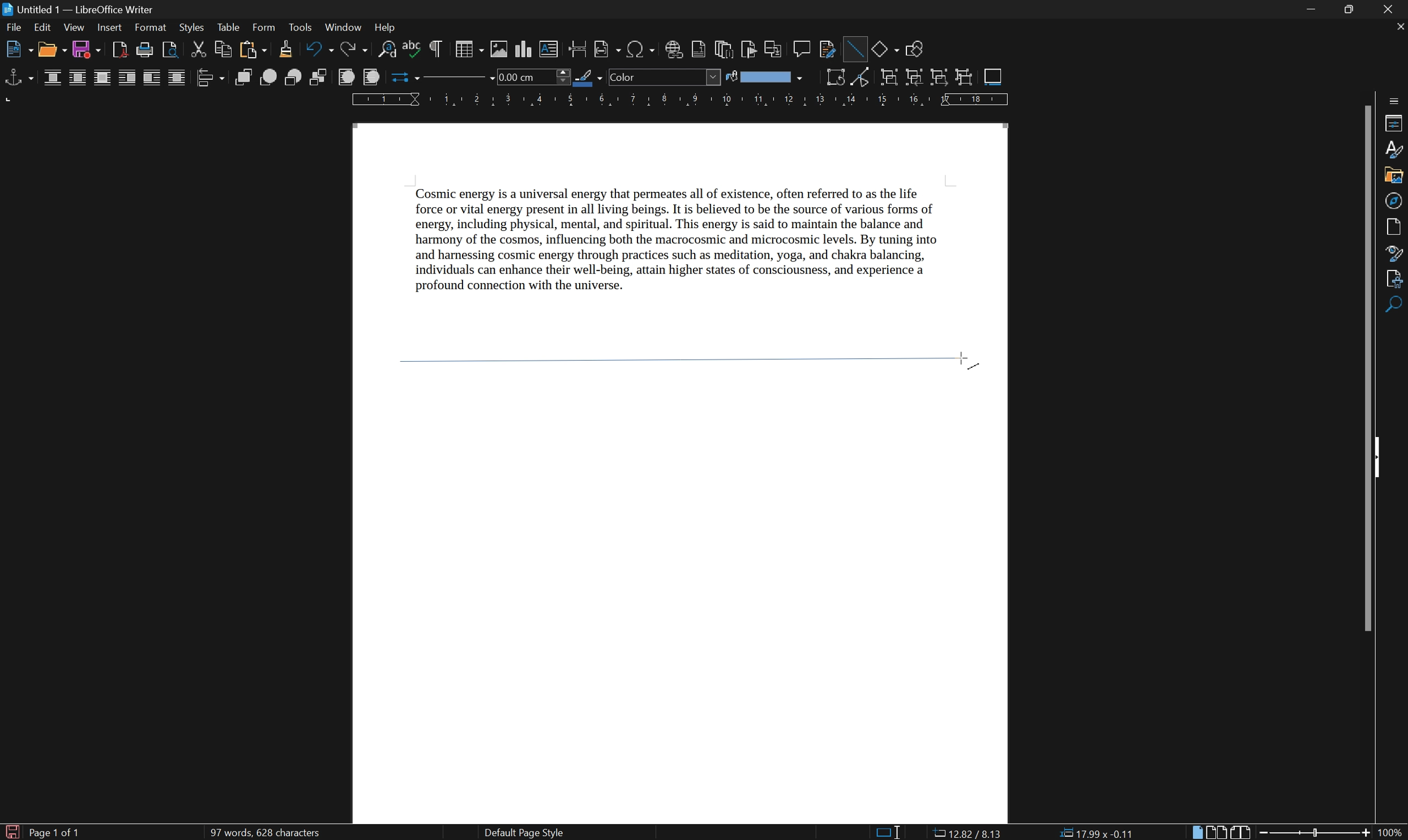 Image resolution: width=1408 pixels, height=840 pixels. I want to click on new, so click(19, 51).